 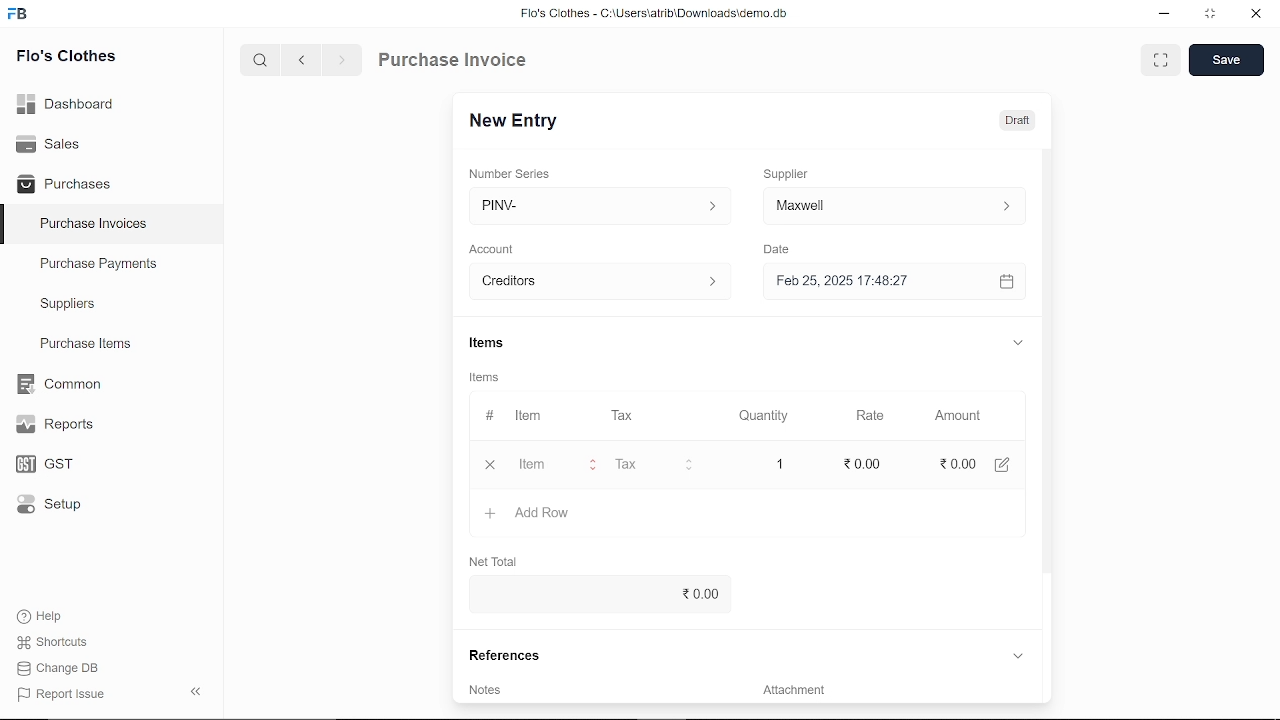 What do you see at coordinates (258, 61) in the screenshot?
I see `serach` at bounding box center [258, 61].